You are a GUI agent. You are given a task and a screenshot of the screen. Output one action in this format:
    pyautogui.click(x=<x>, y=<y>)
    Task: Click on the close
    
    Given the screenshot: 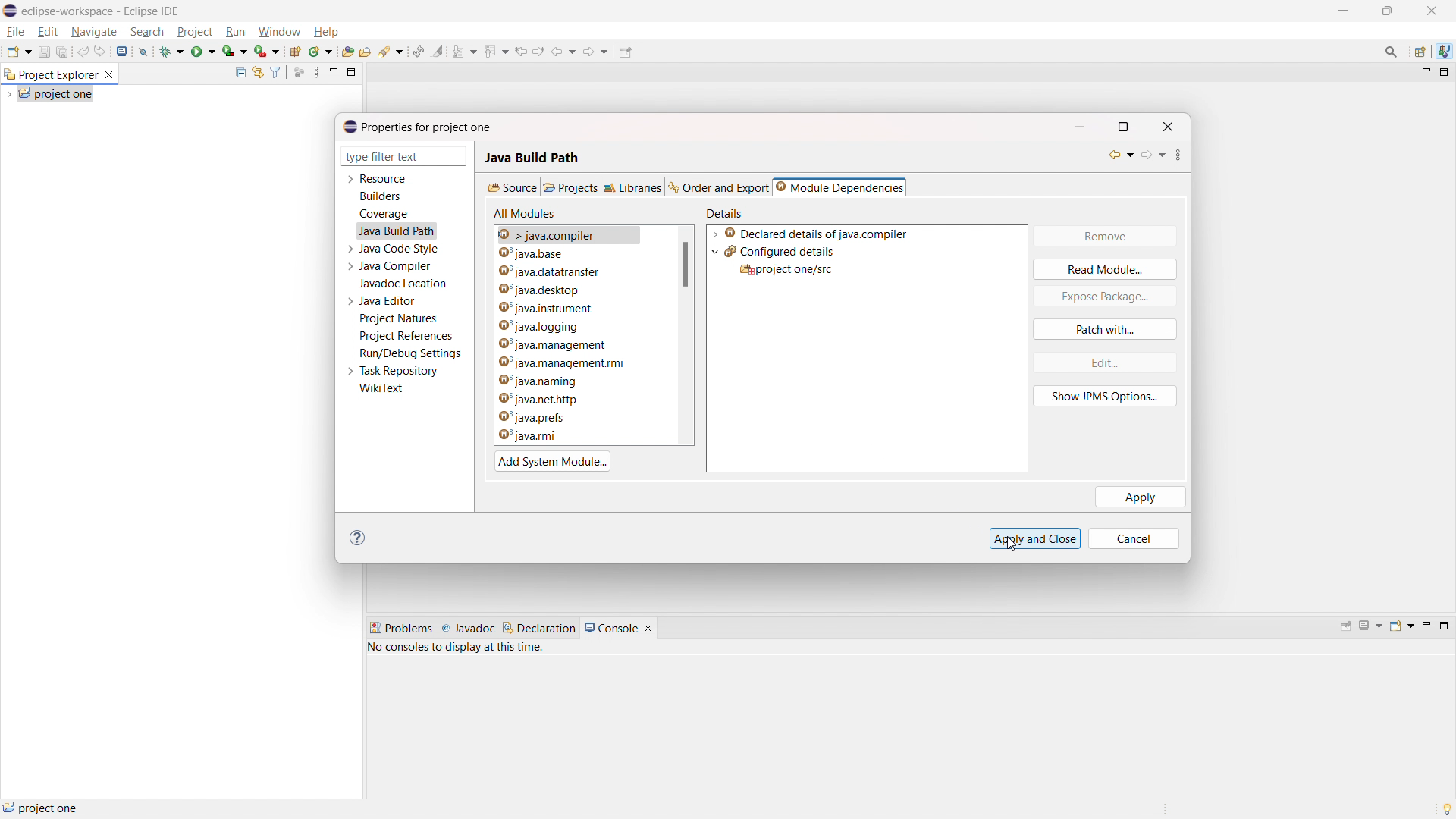 What is the action you would take?
    pyautogui.click(x=1432, y=11)
    